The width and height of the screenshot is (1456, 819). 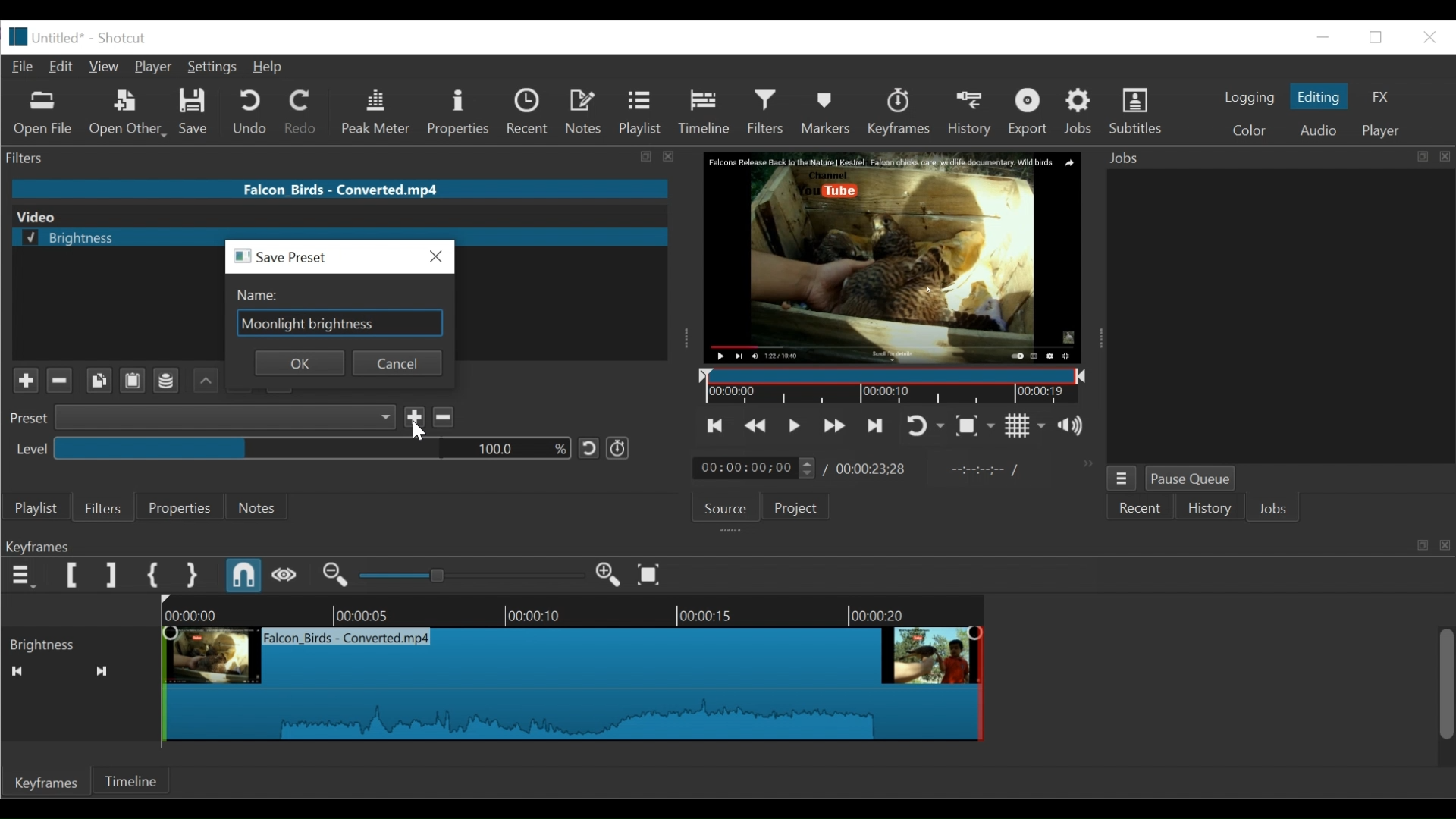 What do you see at coordinates (129, 113) in the screenshot?
I see `Open Other` at bounding box center [129, 113].